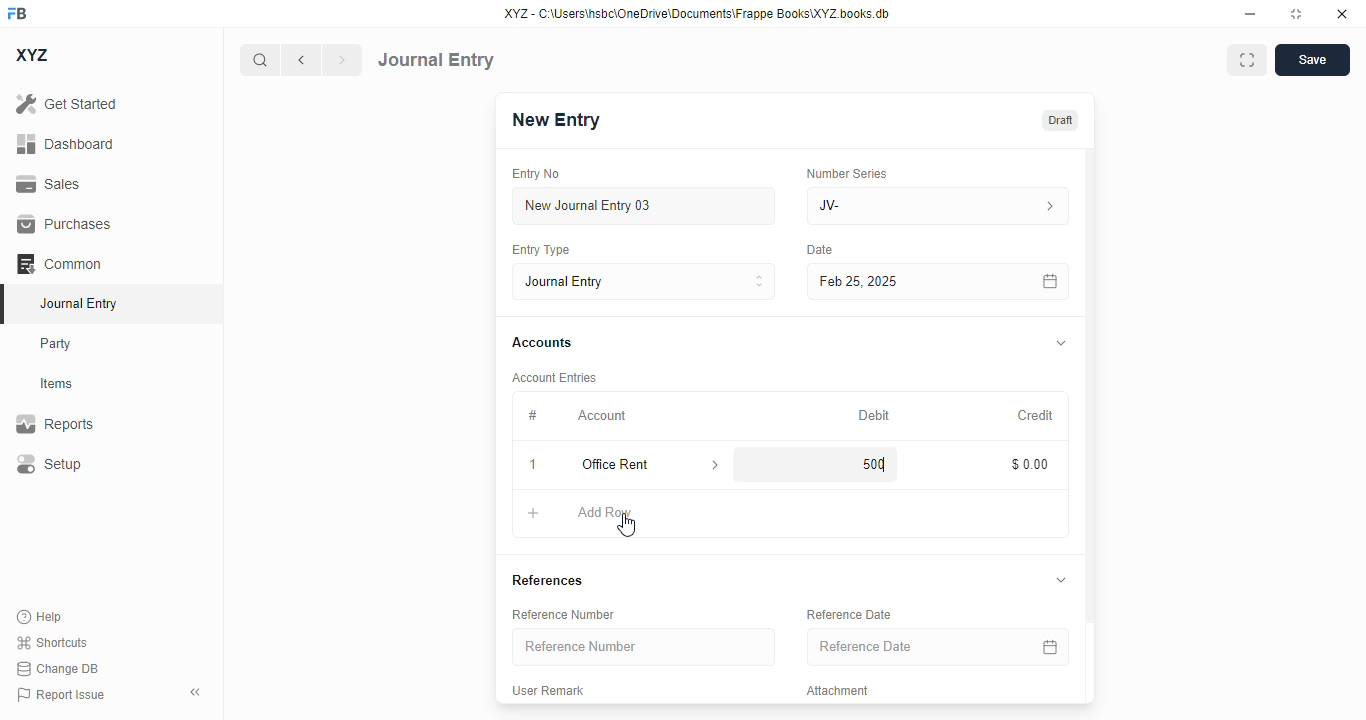 The image size is (1366, 720). What do you see at coordinates (51, 642) in the screenshot?
I see `shortcuts` at bounding box center [51, 642].